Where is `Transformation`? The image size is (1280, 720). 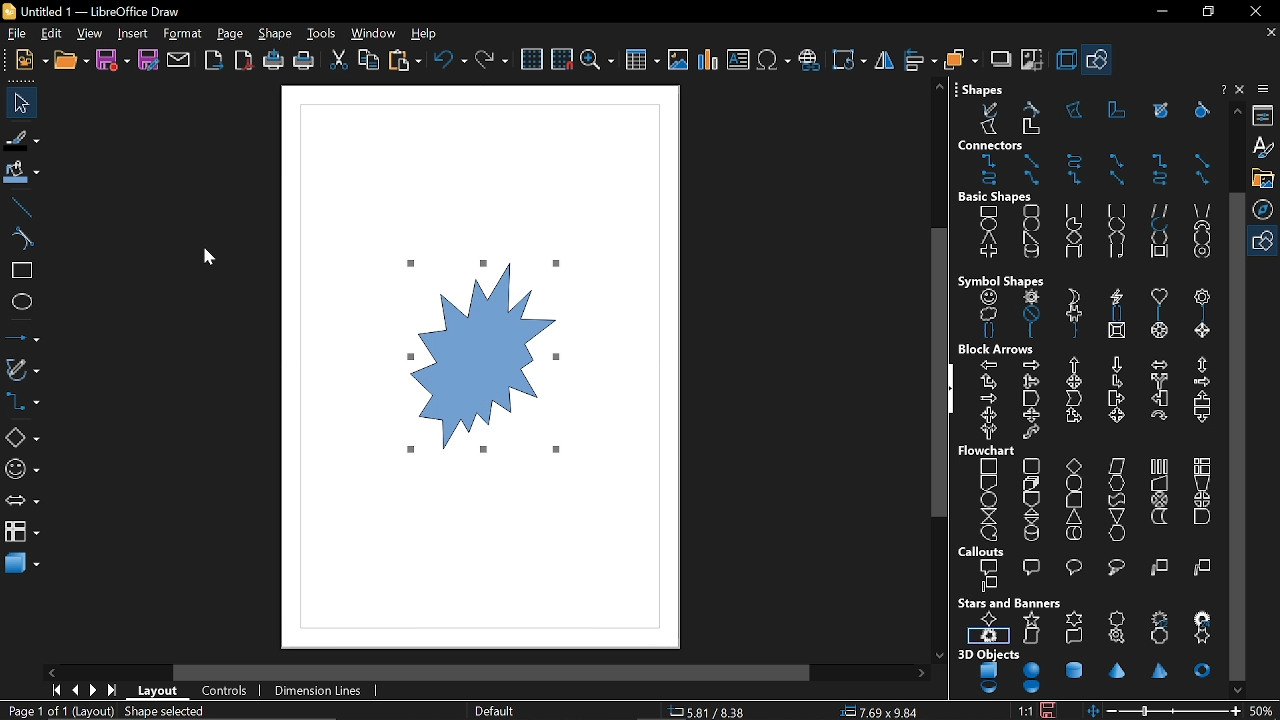 Transformation is located at coordinates (847, 59).